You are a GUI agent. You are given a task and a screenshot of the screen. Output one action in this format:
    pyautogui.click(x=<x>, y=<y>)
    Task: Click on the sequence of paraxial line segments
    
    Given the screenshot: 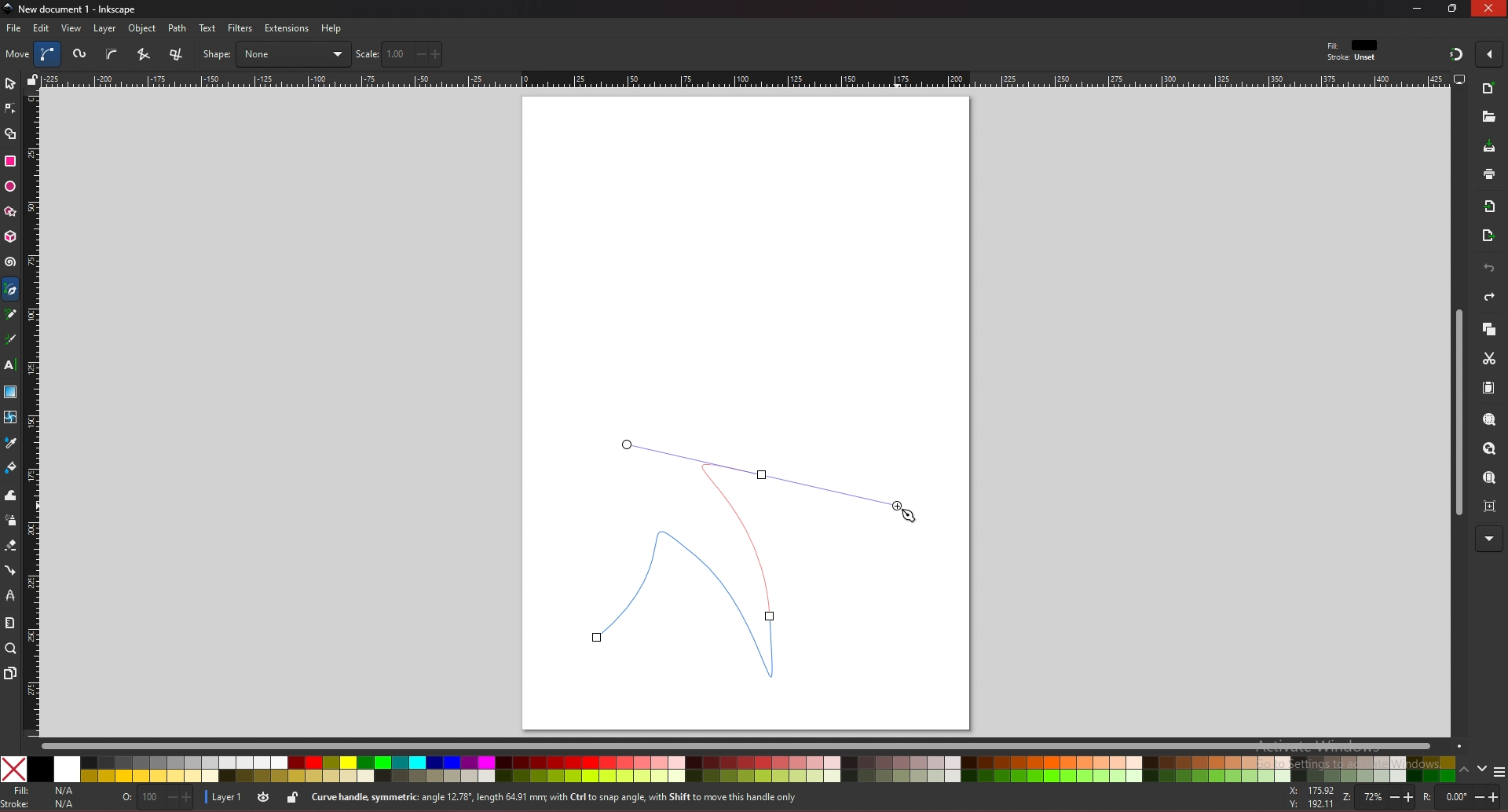 What is the action you would take?
    pyautogui.click(x=178, y=55)
    